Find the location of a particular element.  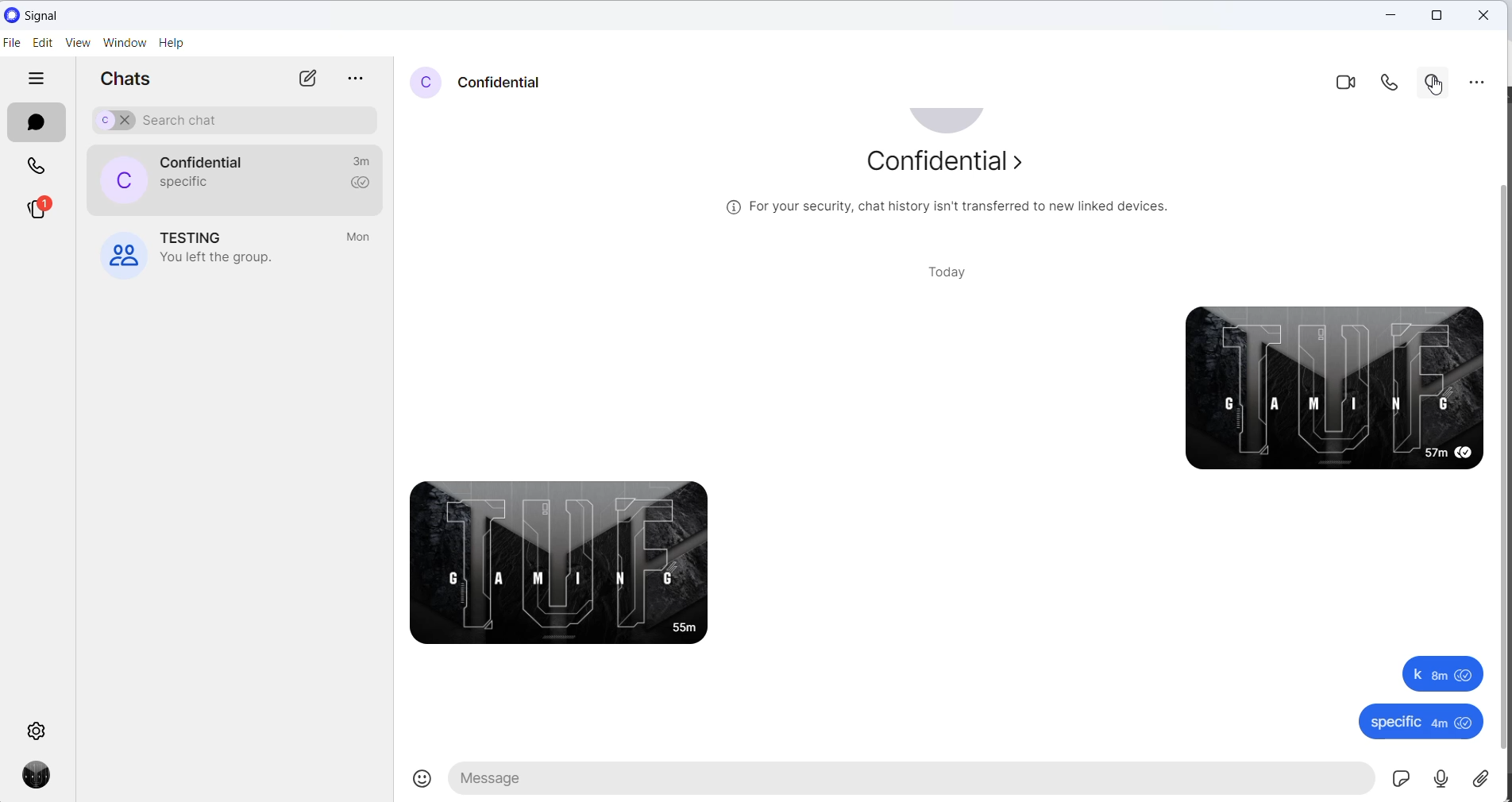

stories is located at coordinates (39, 210).